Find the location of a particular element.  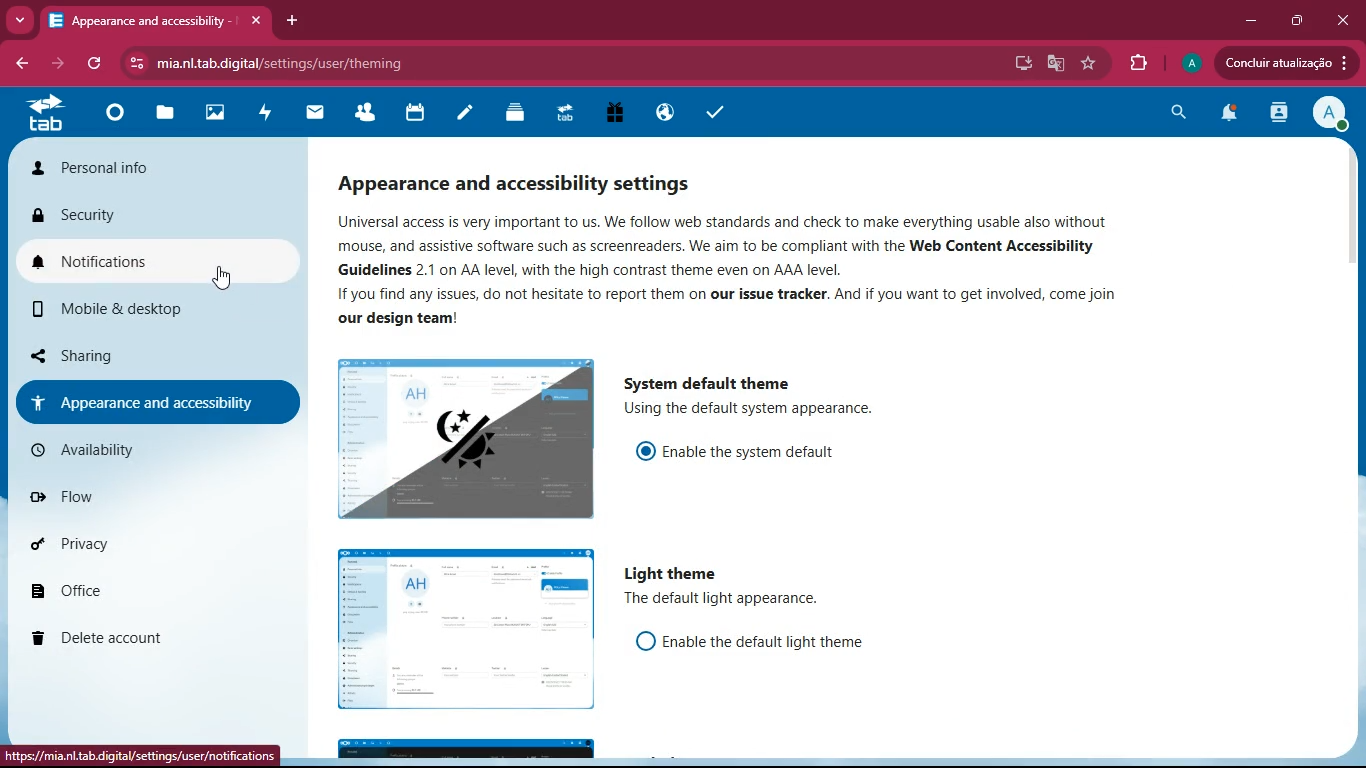

tab is located at coordinates (569, 114).